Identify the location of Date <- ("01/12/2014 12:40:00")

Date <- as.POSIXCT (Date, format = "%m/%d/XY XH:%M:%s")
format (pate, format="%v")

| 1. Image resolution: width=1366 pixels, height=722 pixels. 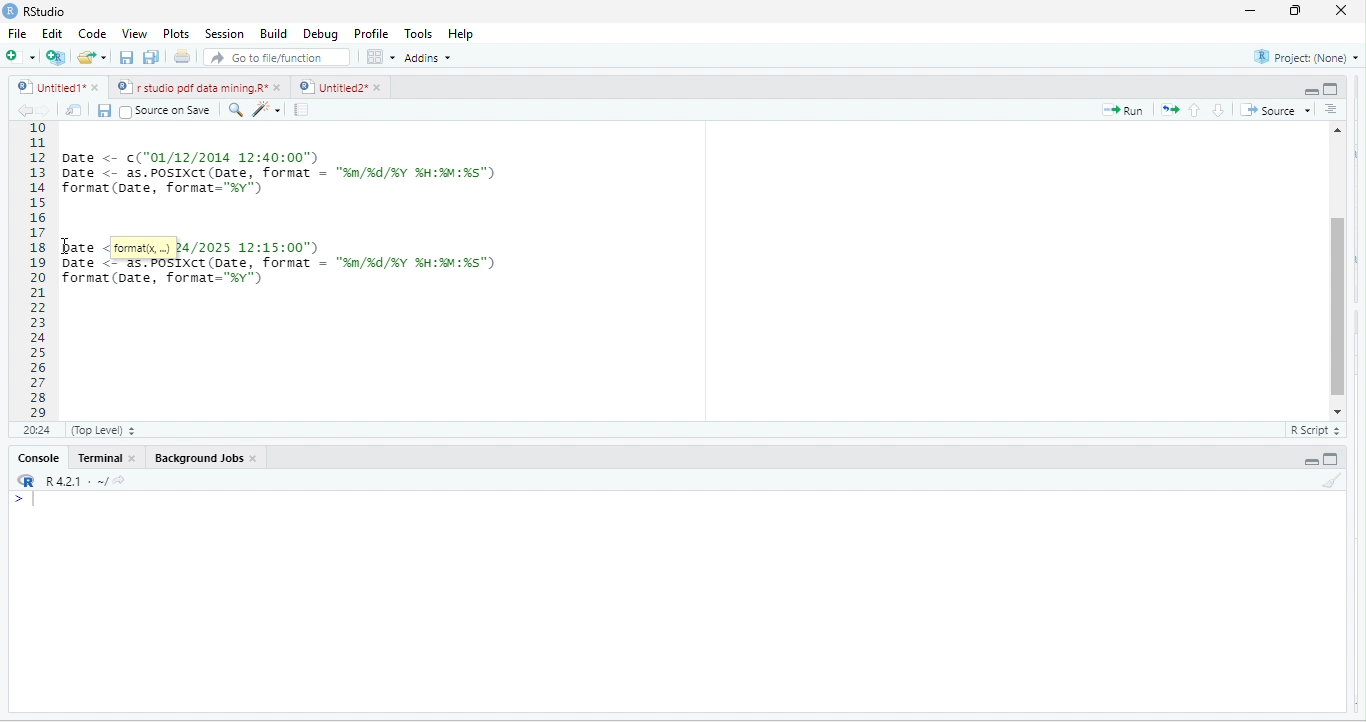
(399, 171).